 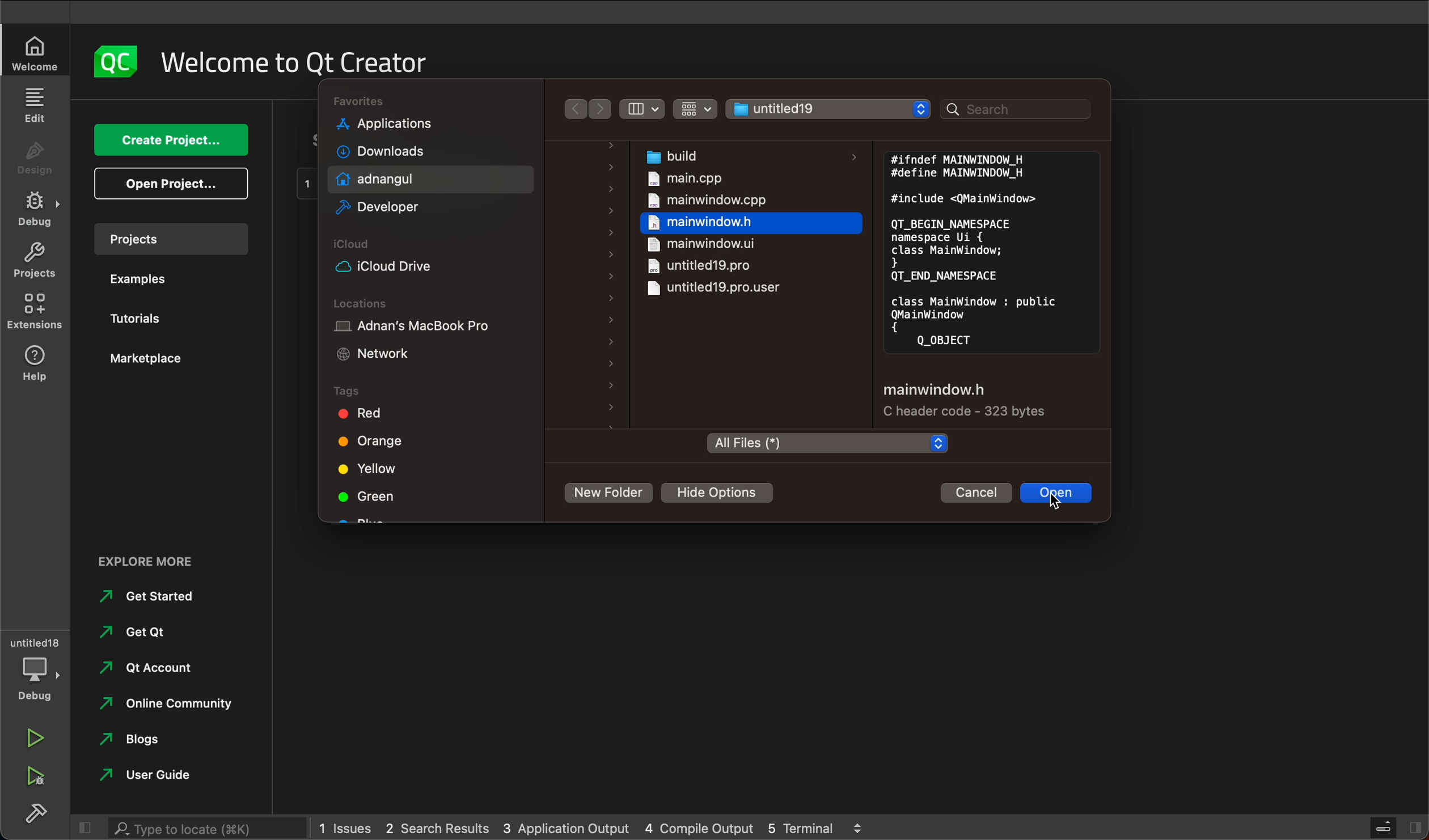 What do you see at coordinates (85, 826) in the screenshot?
I see `close slidebar` at bounding box center [85, 826].